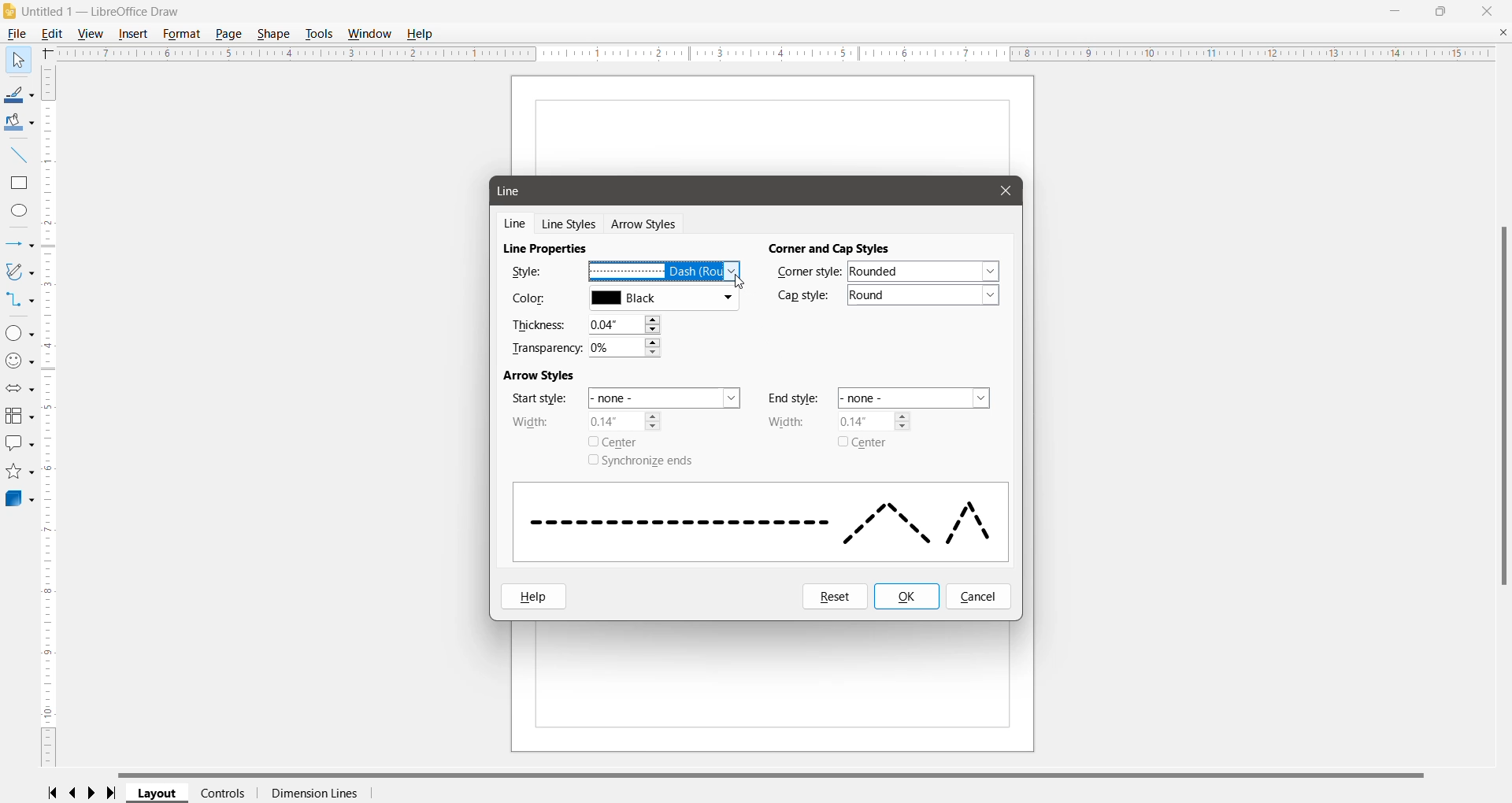  Describe the element at coordinates (664, 298) in the screenshot. I see `Select the required line color` at that location.